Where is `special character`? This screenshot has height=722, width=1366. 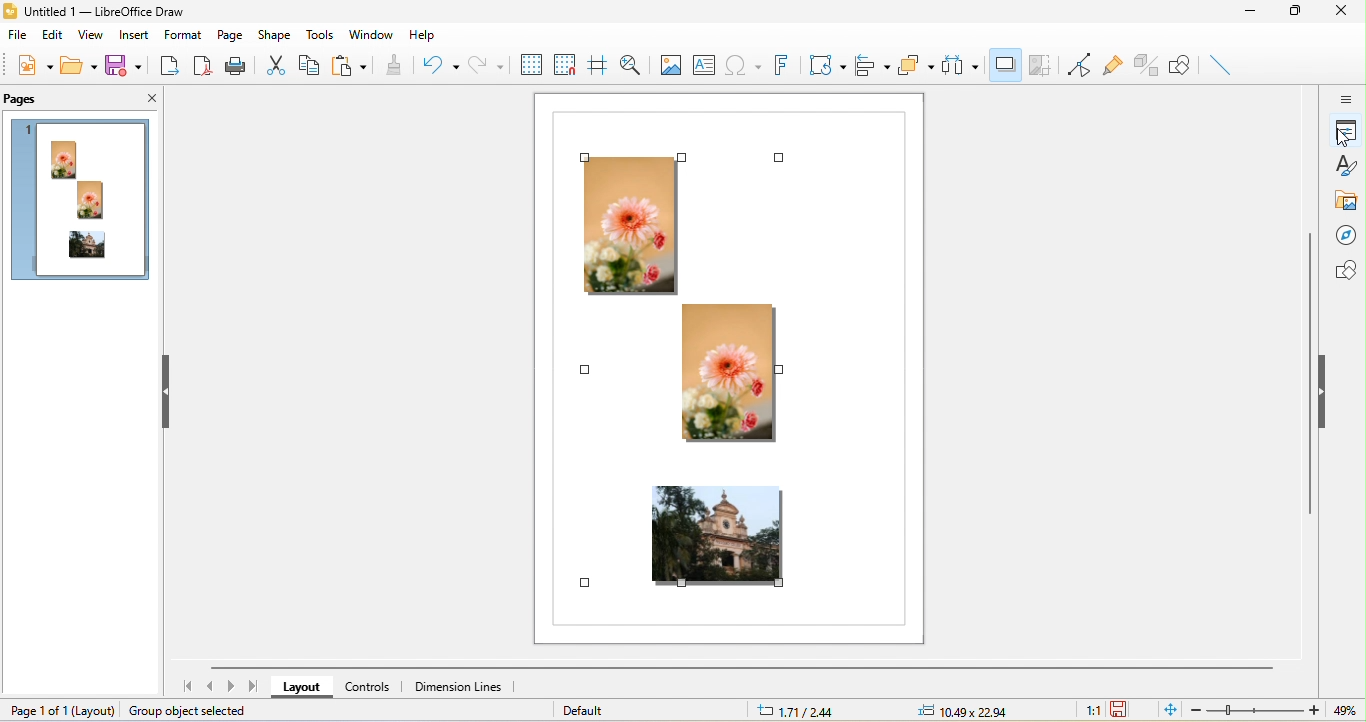 special character is located at coordinates (743, 63).